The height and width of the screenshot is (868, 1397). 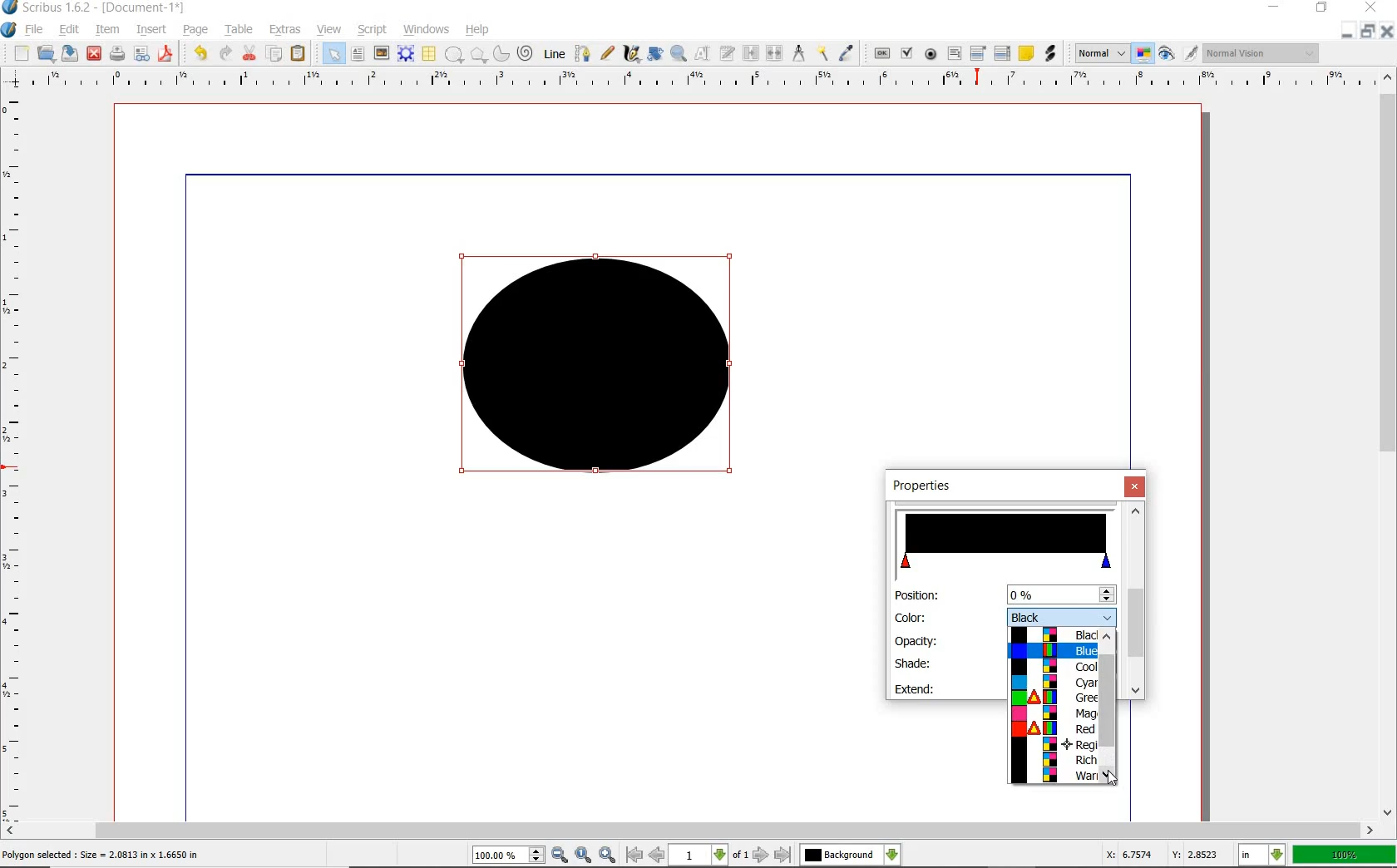 I want to click on FILE, so click(x=36, y=29).